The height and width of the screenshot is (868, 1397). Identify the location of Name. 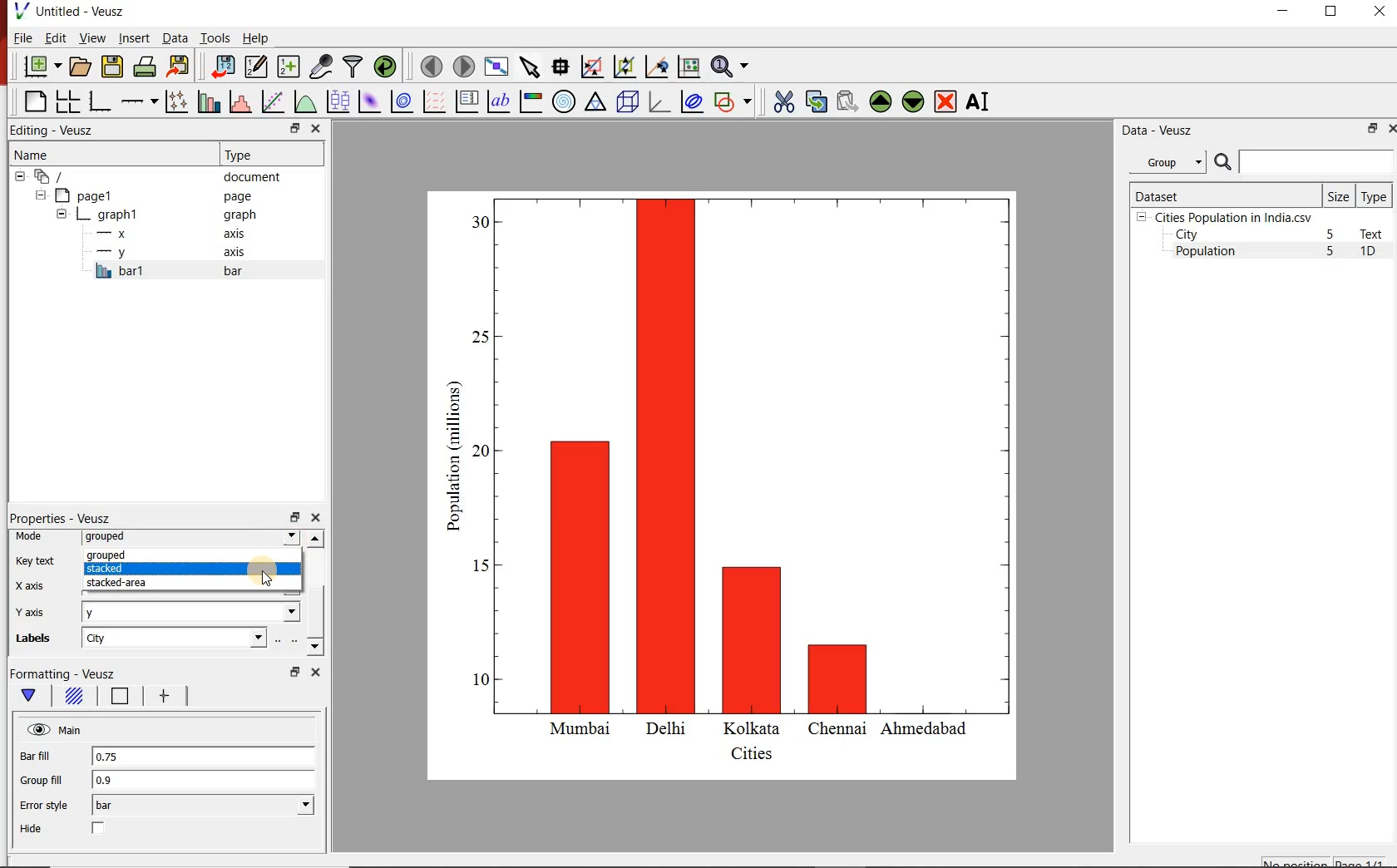
(94, 152).